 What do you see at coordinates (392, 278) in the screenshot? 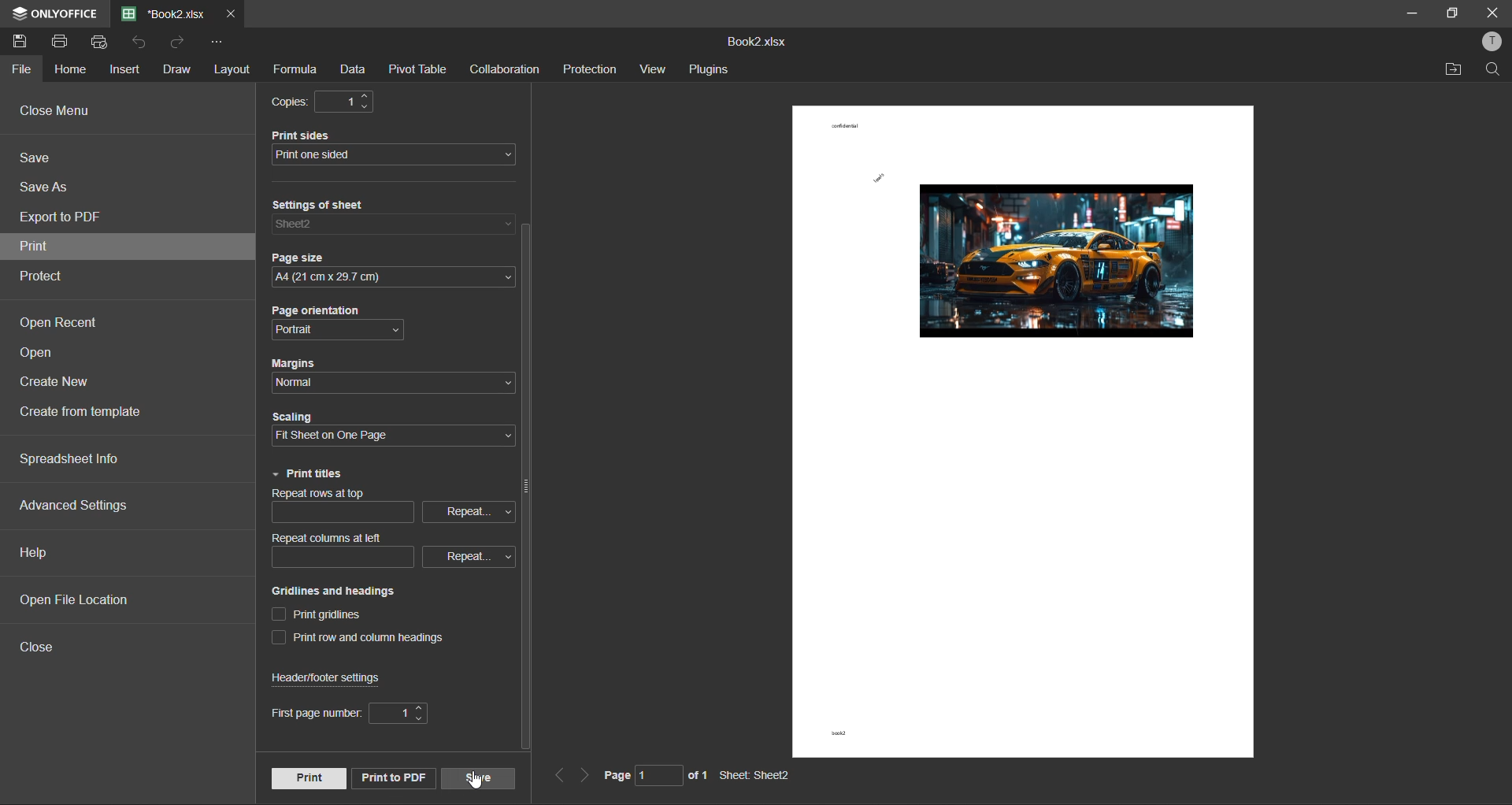
I see `page size` at bounding box center [392, 278].